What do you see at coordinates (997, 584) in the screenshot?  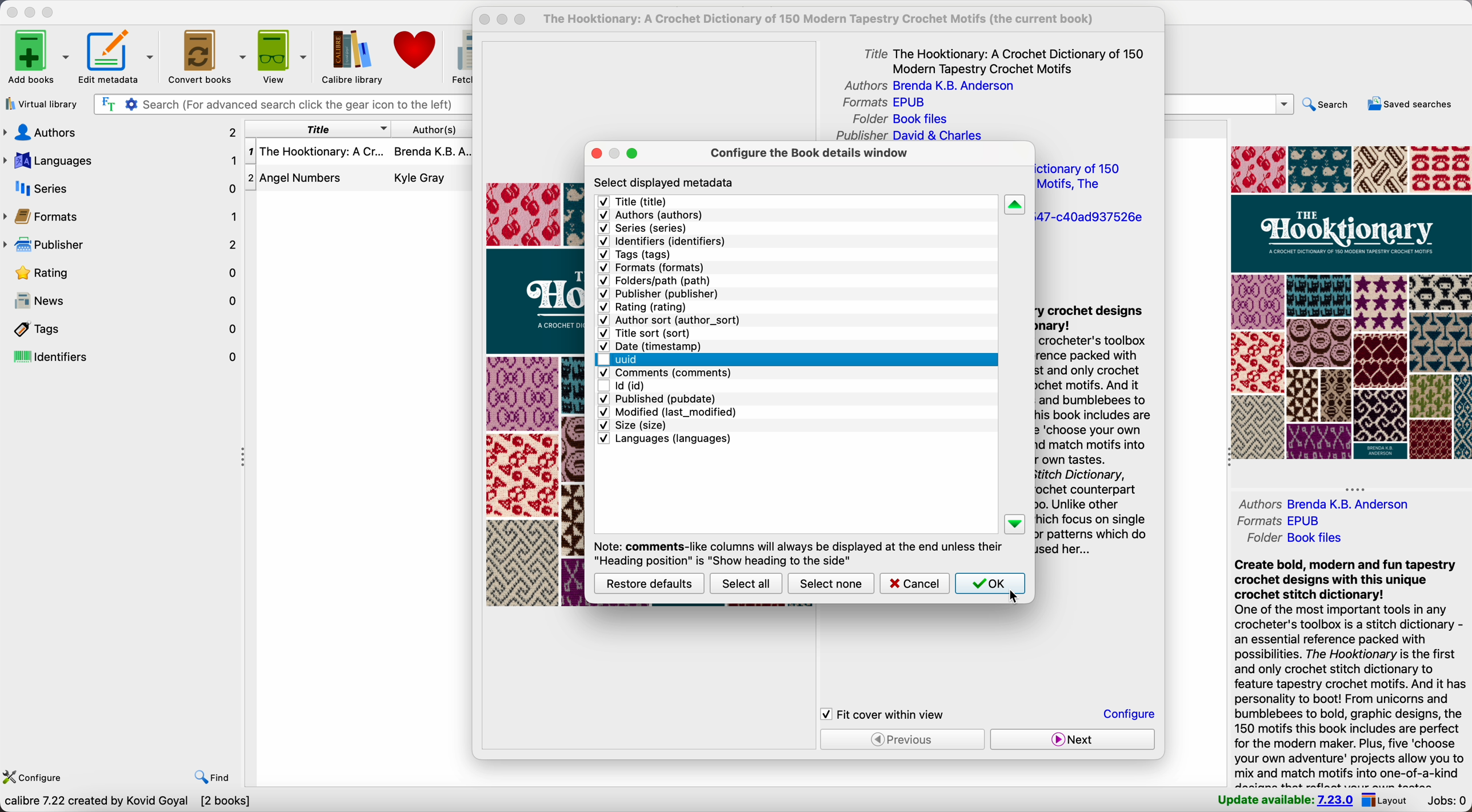 I see `click on OK button` at bounding box center [997, 584].